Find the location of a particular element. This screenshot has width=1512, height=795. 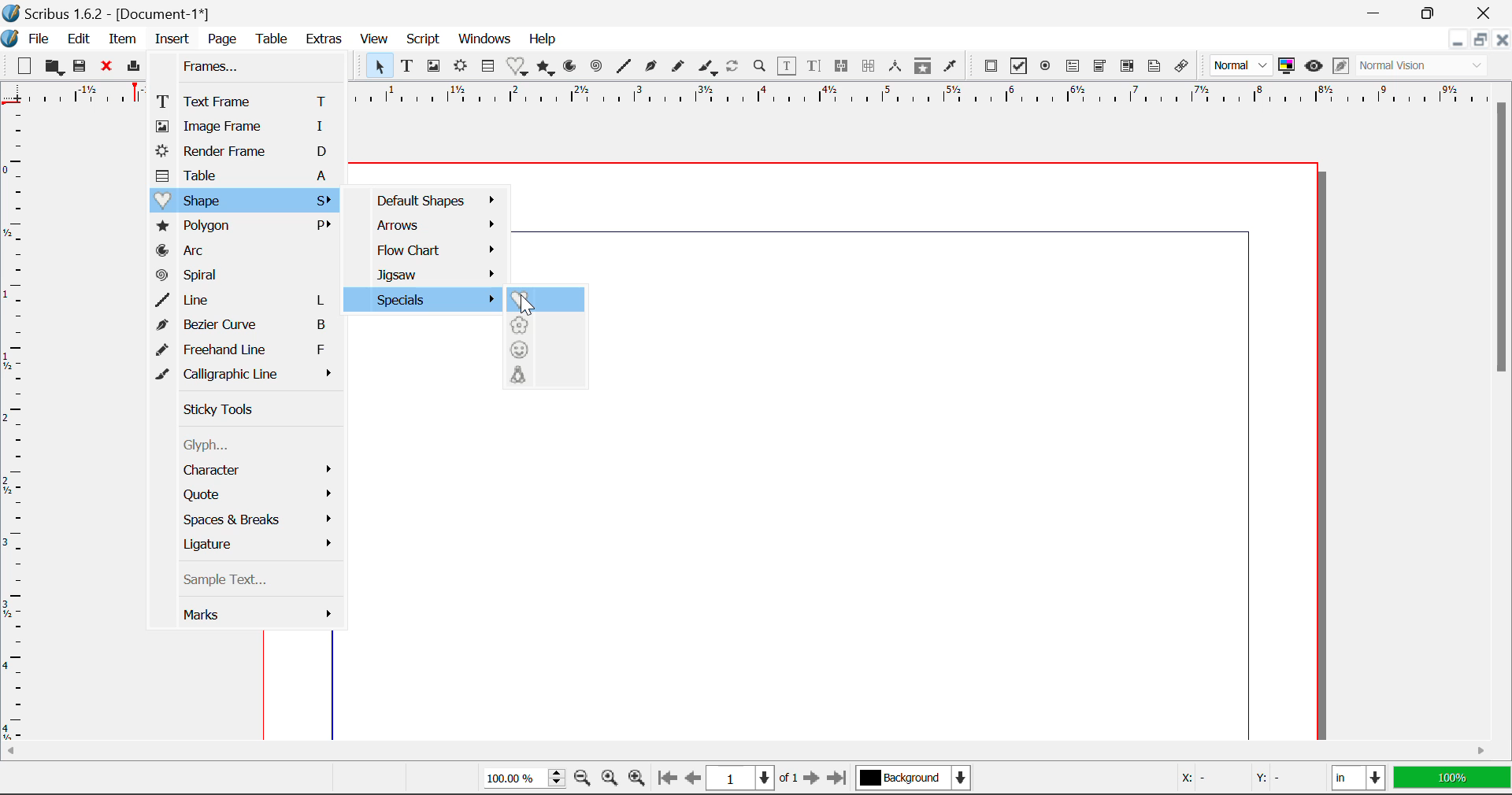

100% is located at coordinates (520, 780).